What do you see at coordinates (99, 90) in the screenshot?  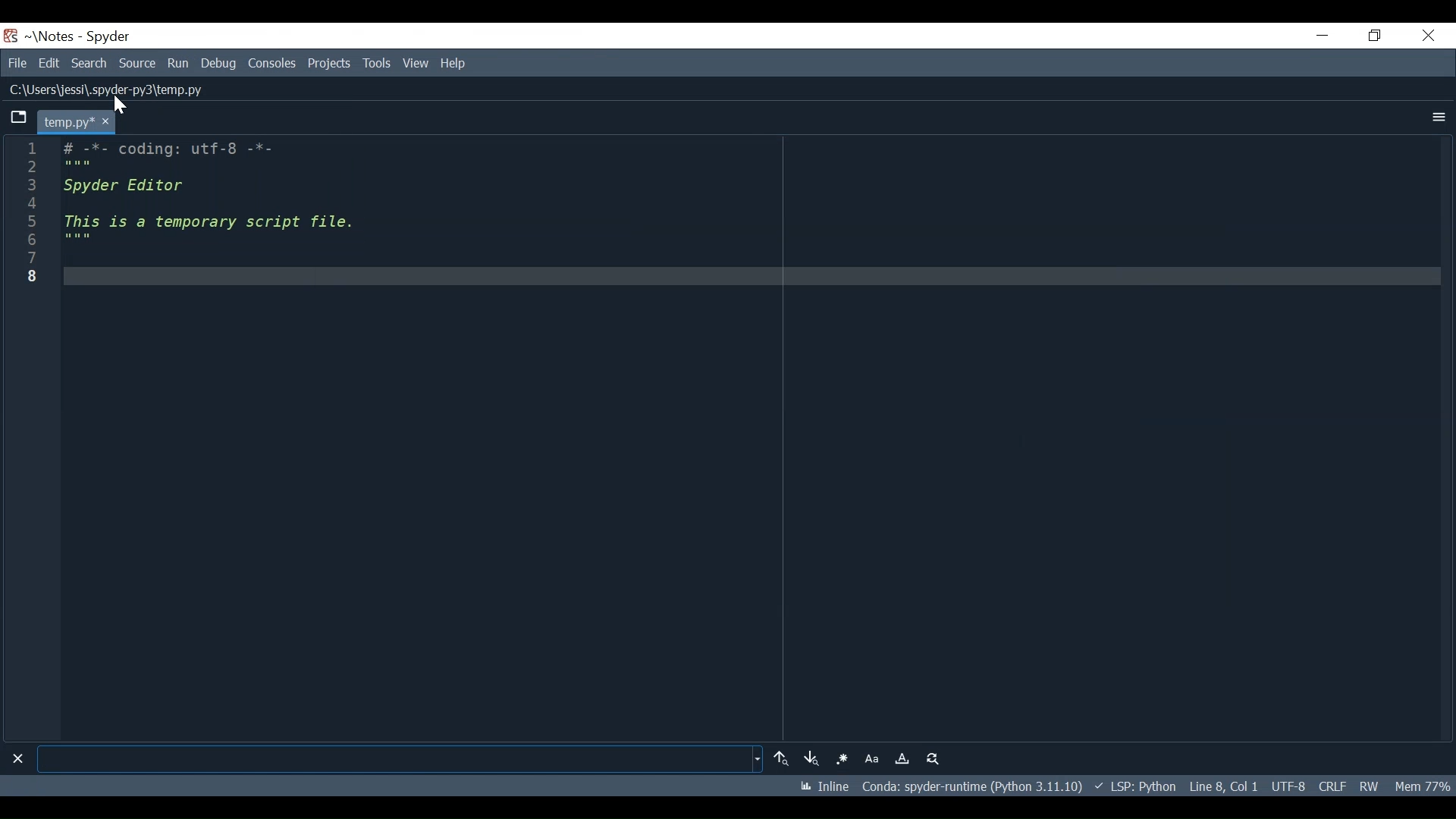 I see `File Path` at bounding box center [99, 90].